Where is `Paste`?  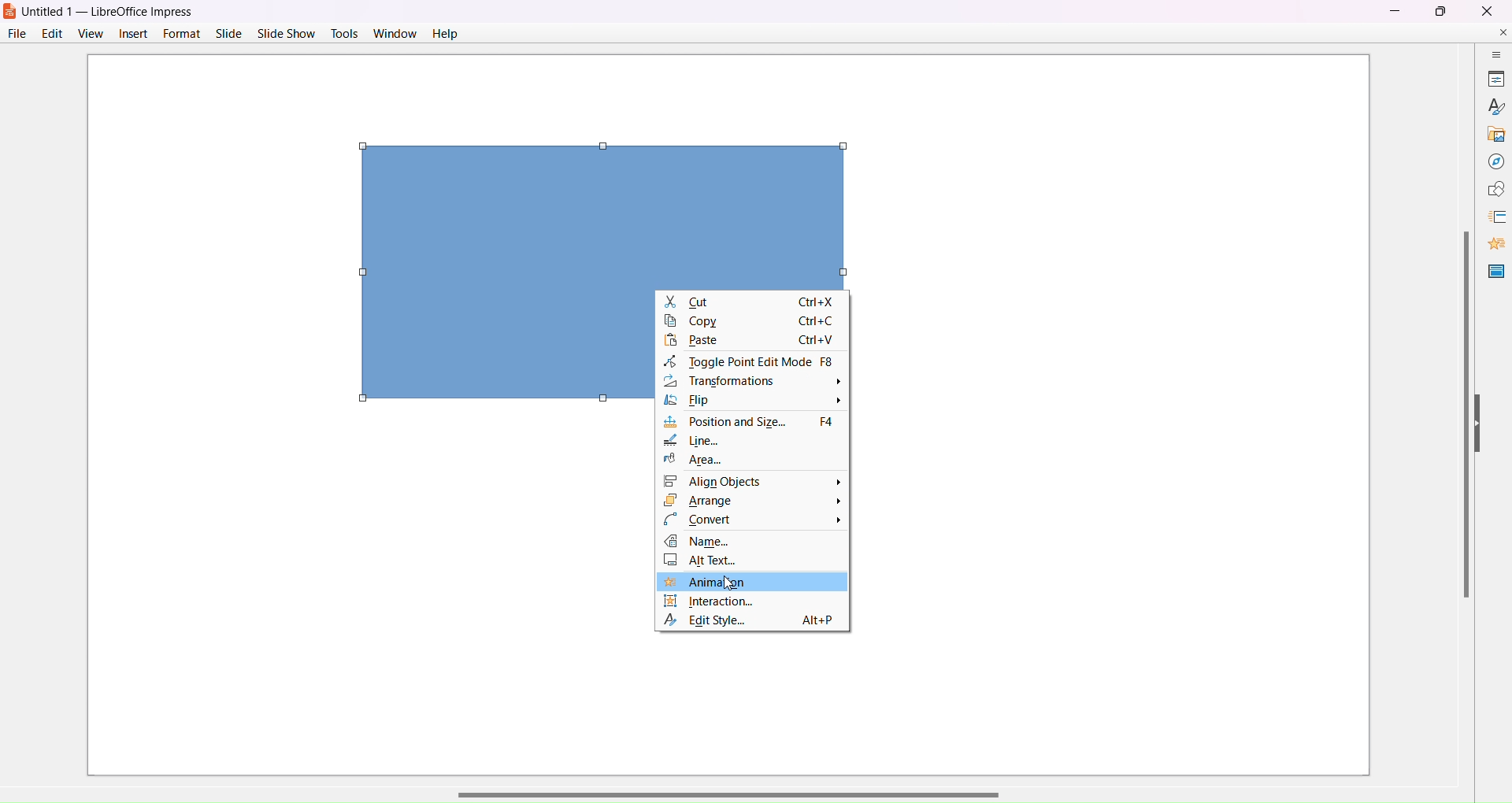
Paste is located at coordinates (747, 342).